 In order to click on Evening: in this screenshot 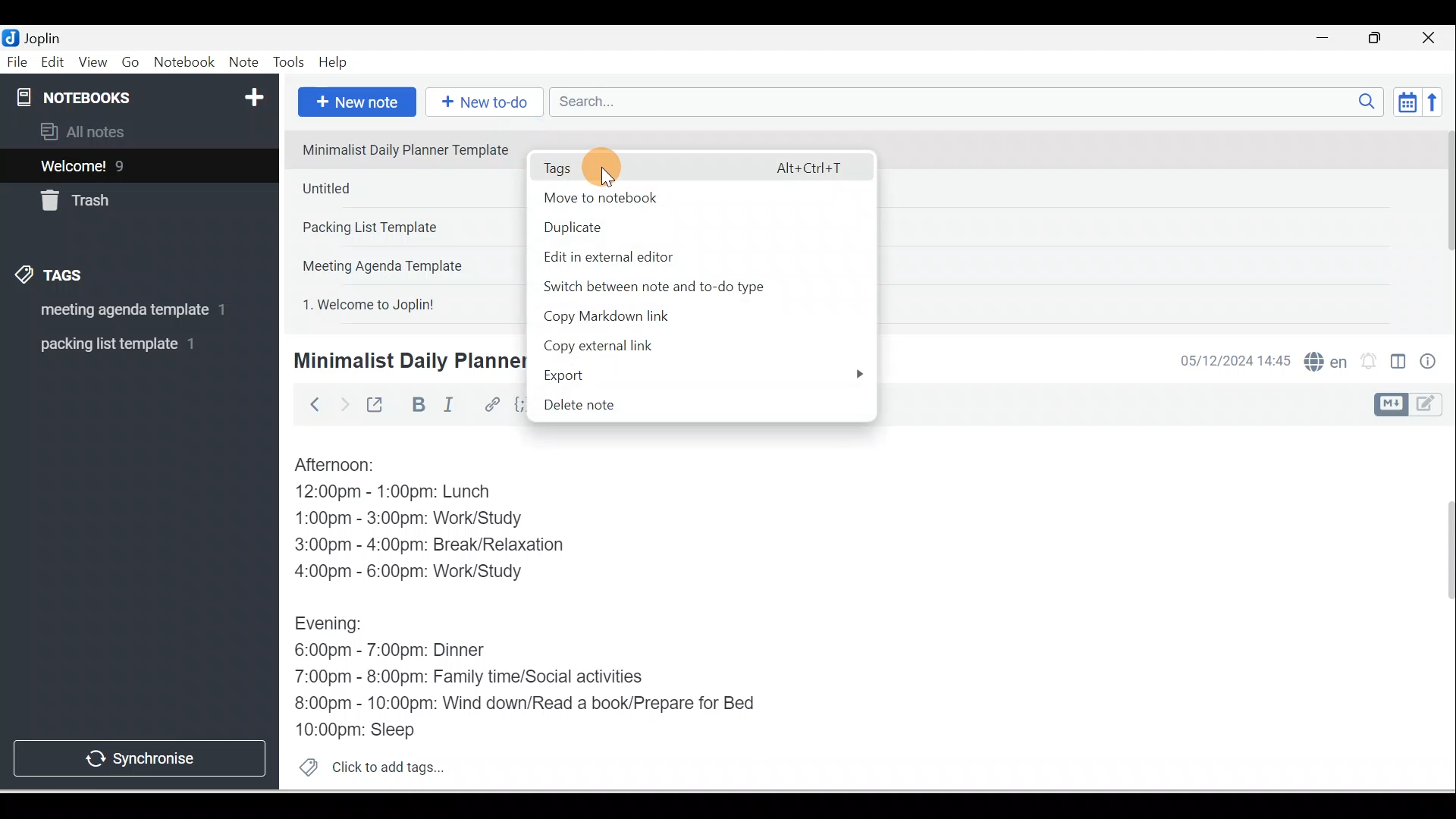, I will do `click(339, 626)`.